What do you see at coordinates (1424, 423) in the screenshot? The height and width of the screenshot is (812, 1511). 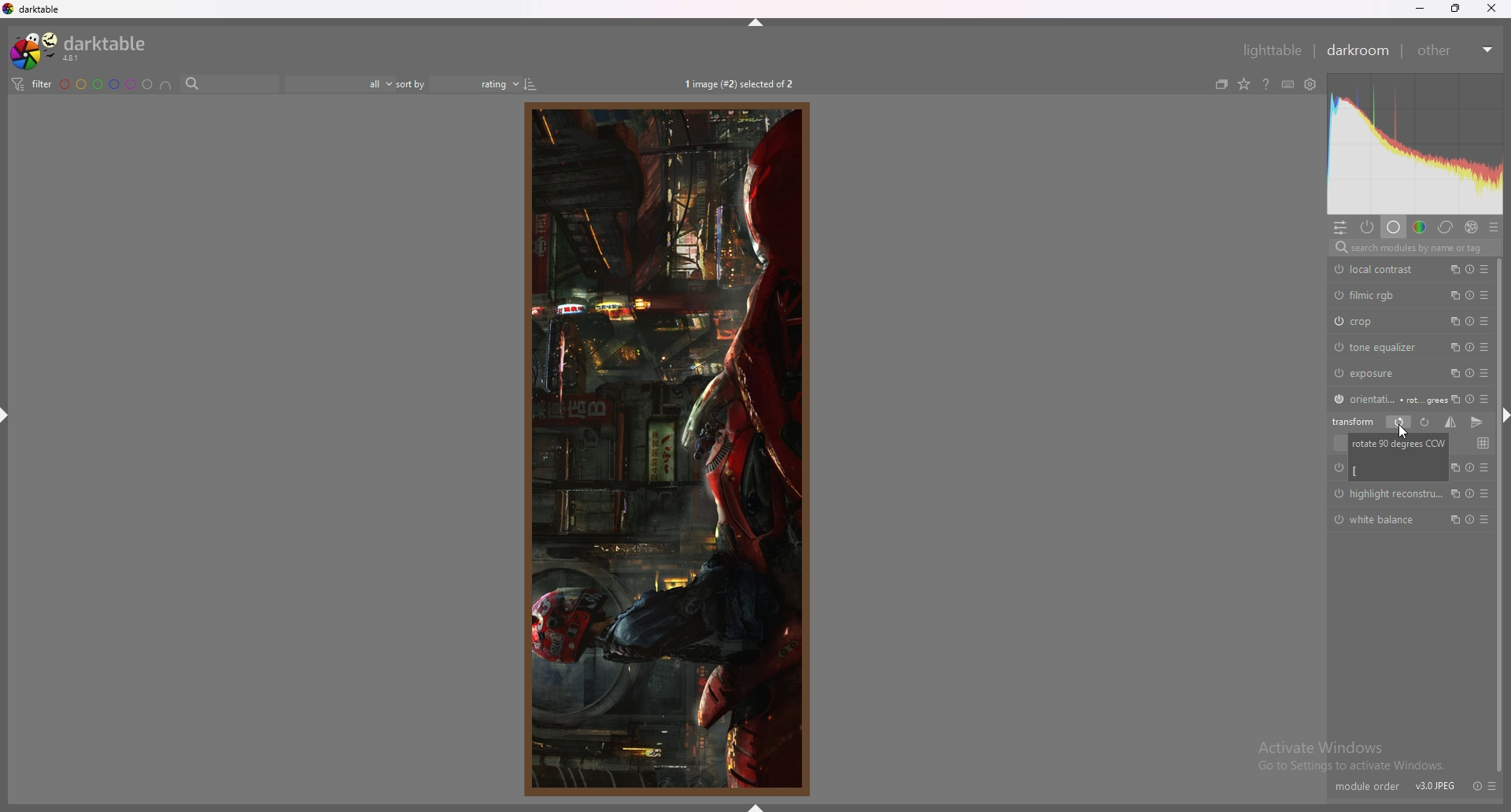 I see `flip clockwise` at bounding box center [1424, 423].